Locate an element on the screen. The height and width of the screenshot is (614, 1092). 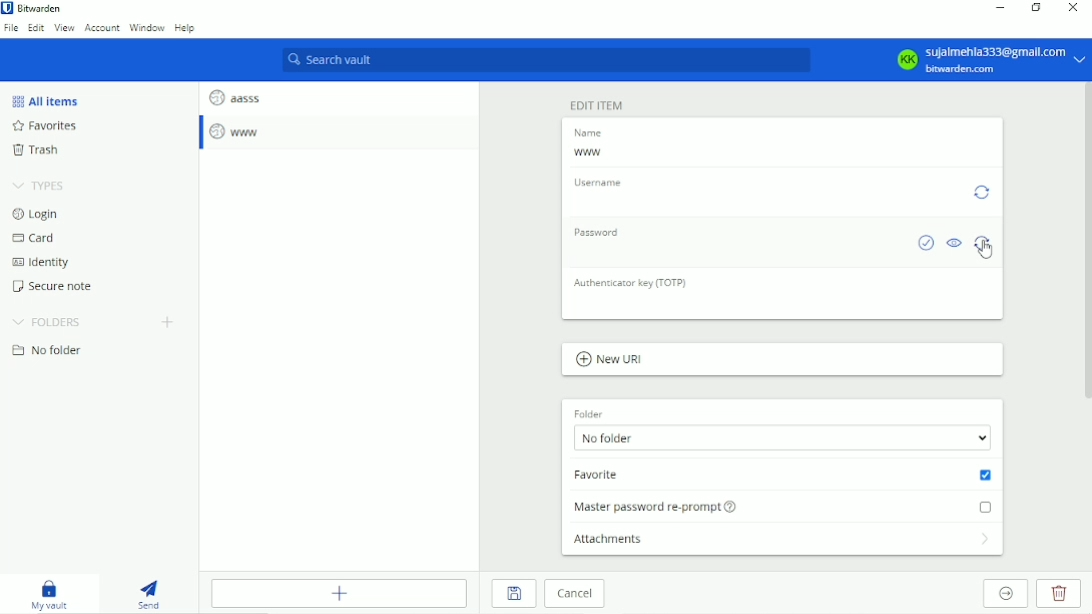
Authenticator key is located at coordinates (632, 282).